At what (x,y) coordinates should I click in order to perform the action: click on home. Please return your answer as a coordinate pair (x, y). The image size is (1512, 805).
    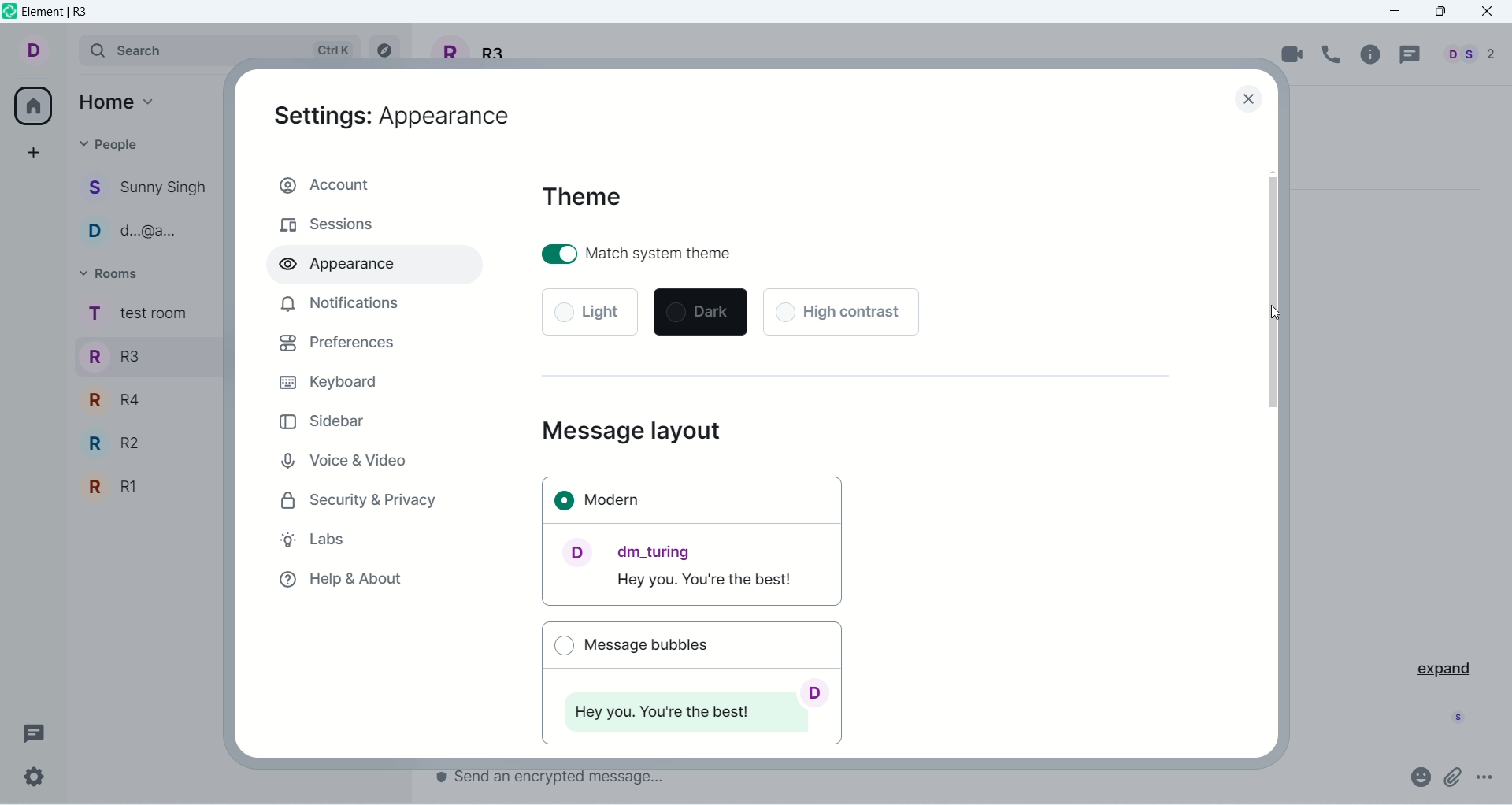
    Looking at the image, I should click on (121, 100).